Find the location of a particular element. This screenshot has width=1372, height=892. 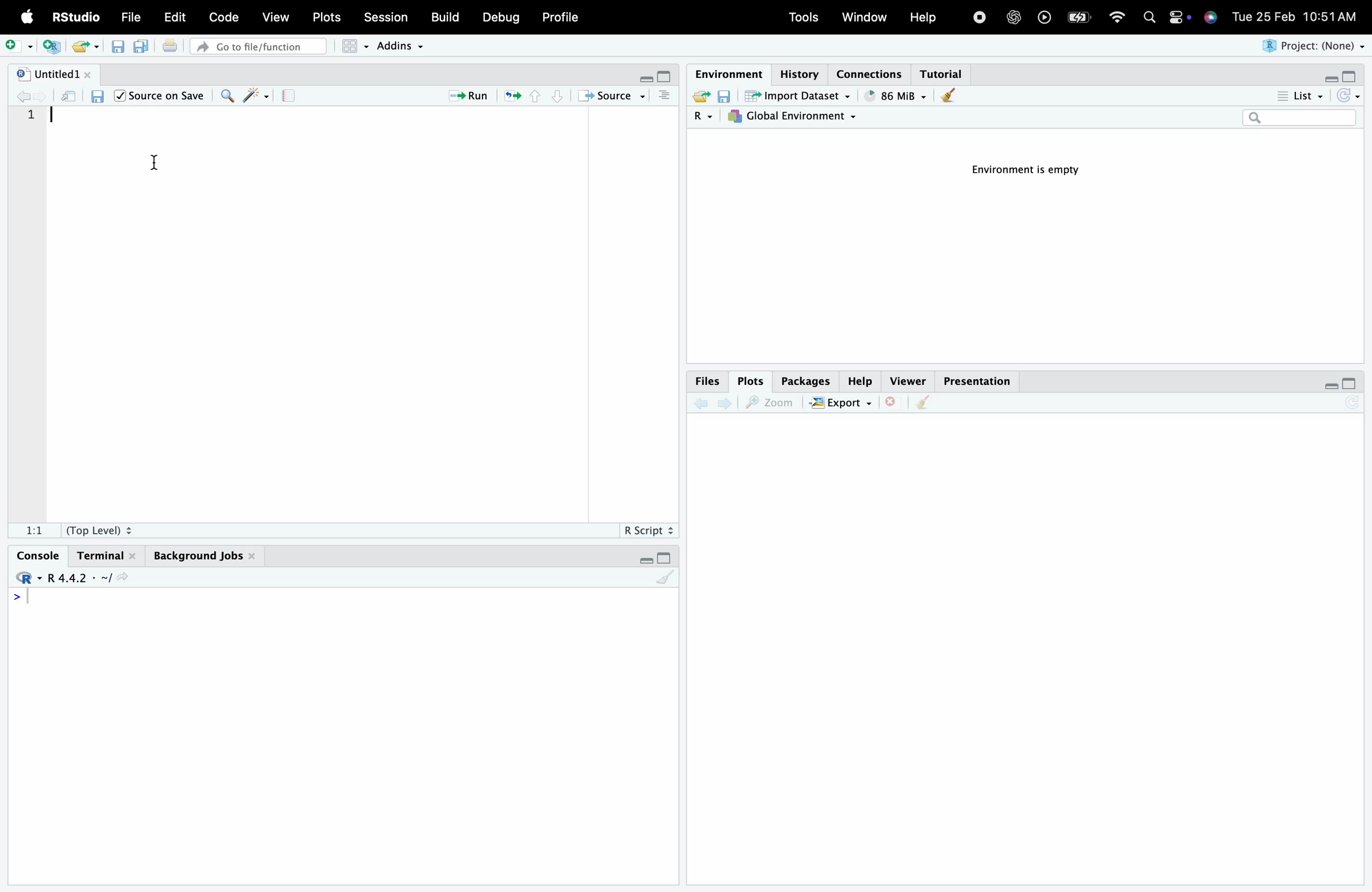

stop is located at coordinates (979, 16).